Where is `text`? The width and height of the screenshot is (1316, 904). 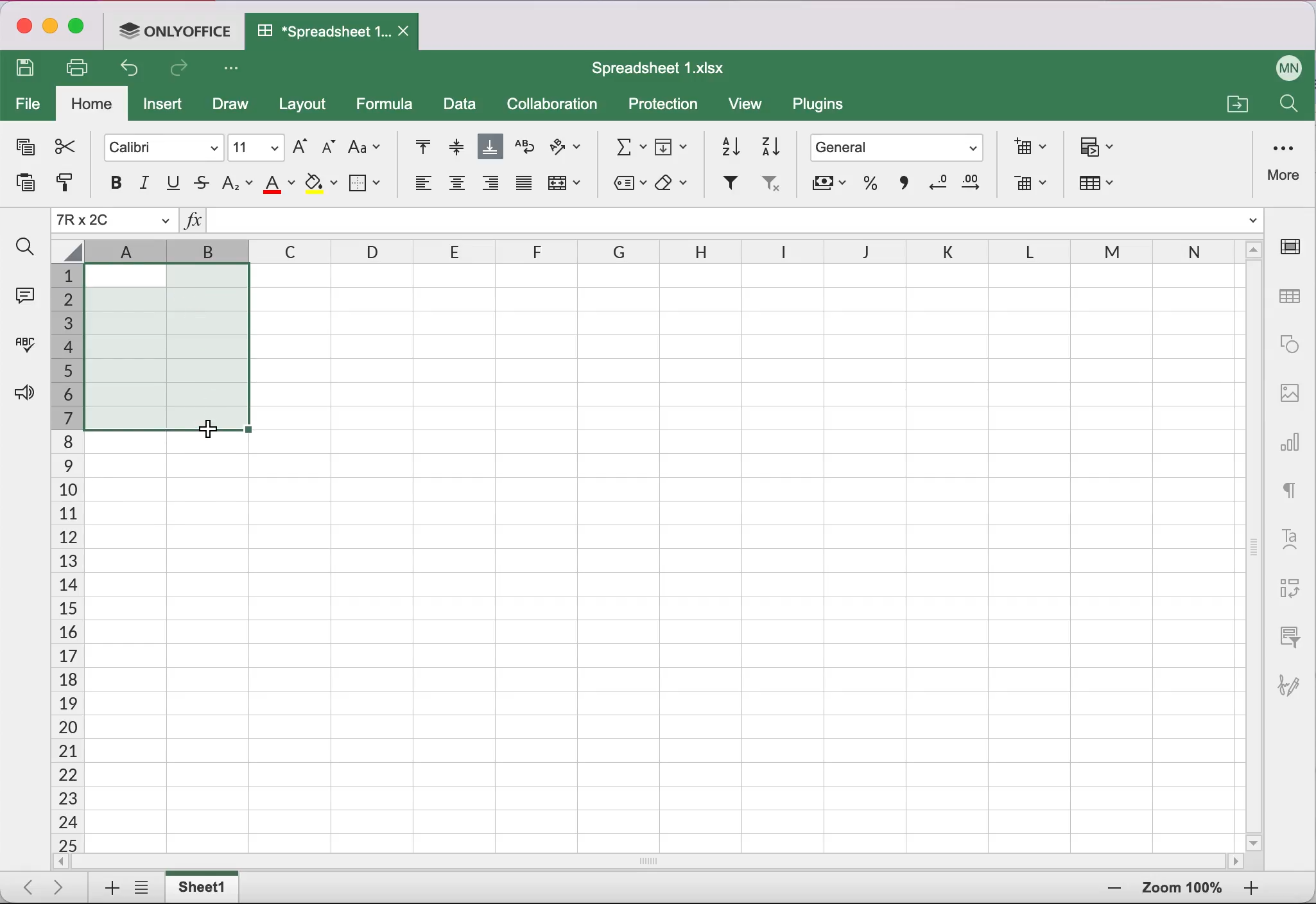 text is located at coordinates (1290, 487).